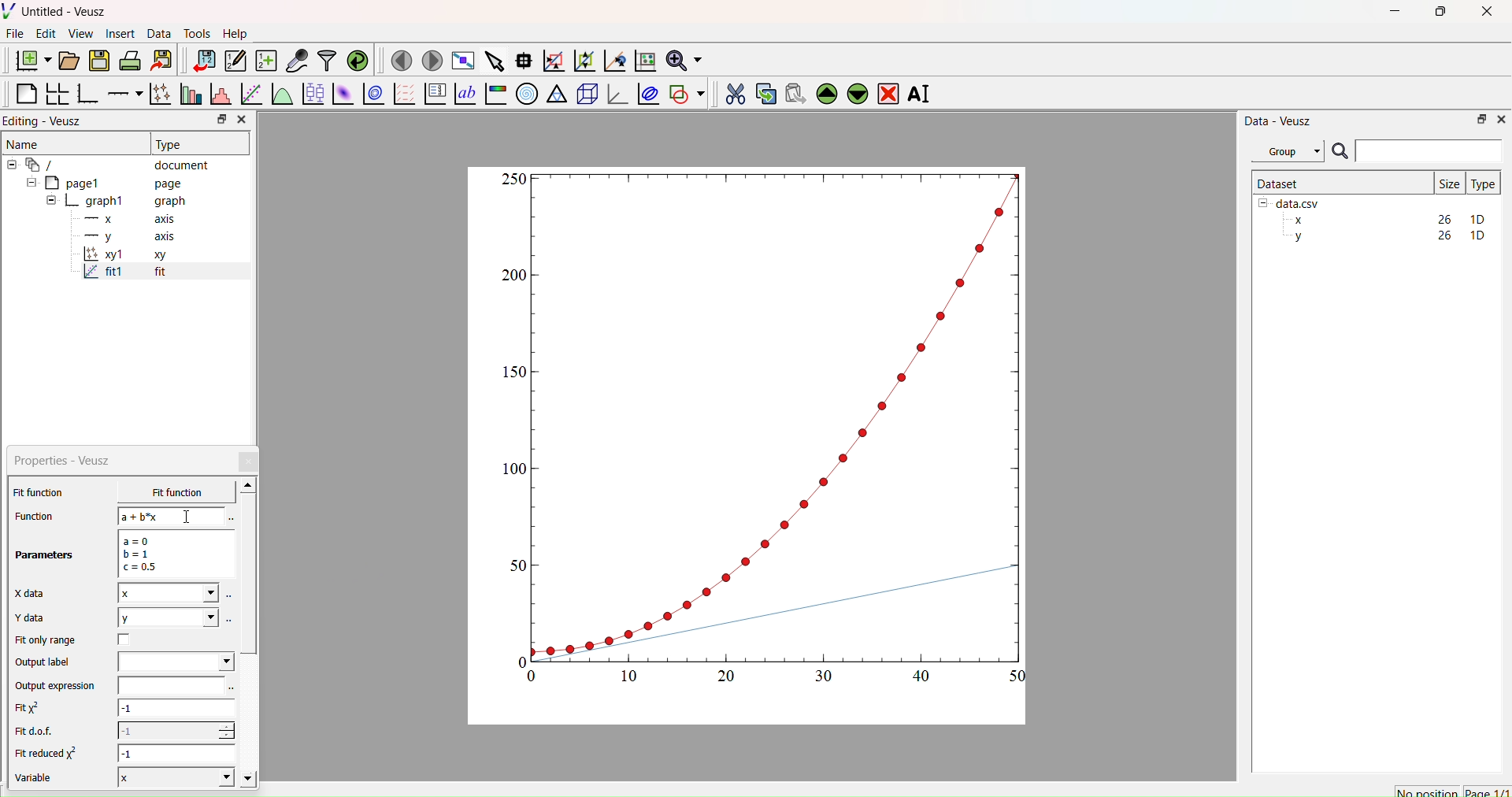 This screenshot has height=797, width=1512. I want to click on Scroll , so click(249, 634).